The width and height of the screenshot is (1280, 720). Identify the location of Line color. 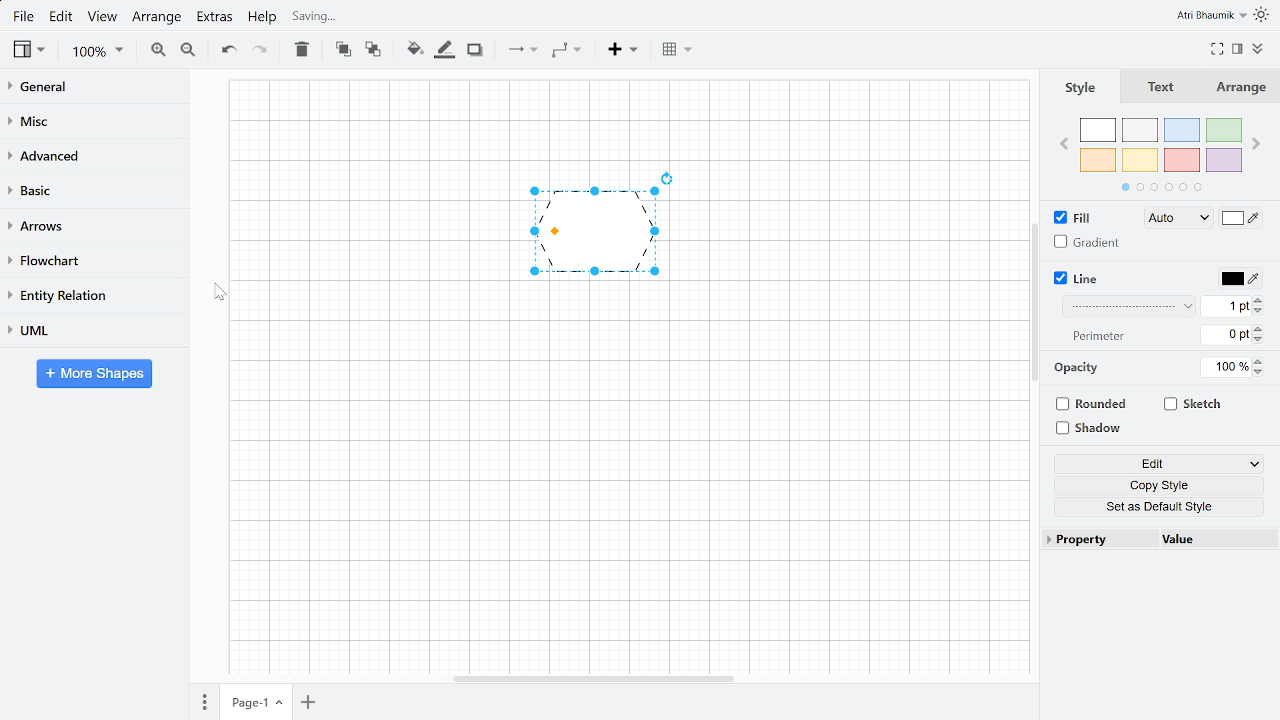
(1240, 277).